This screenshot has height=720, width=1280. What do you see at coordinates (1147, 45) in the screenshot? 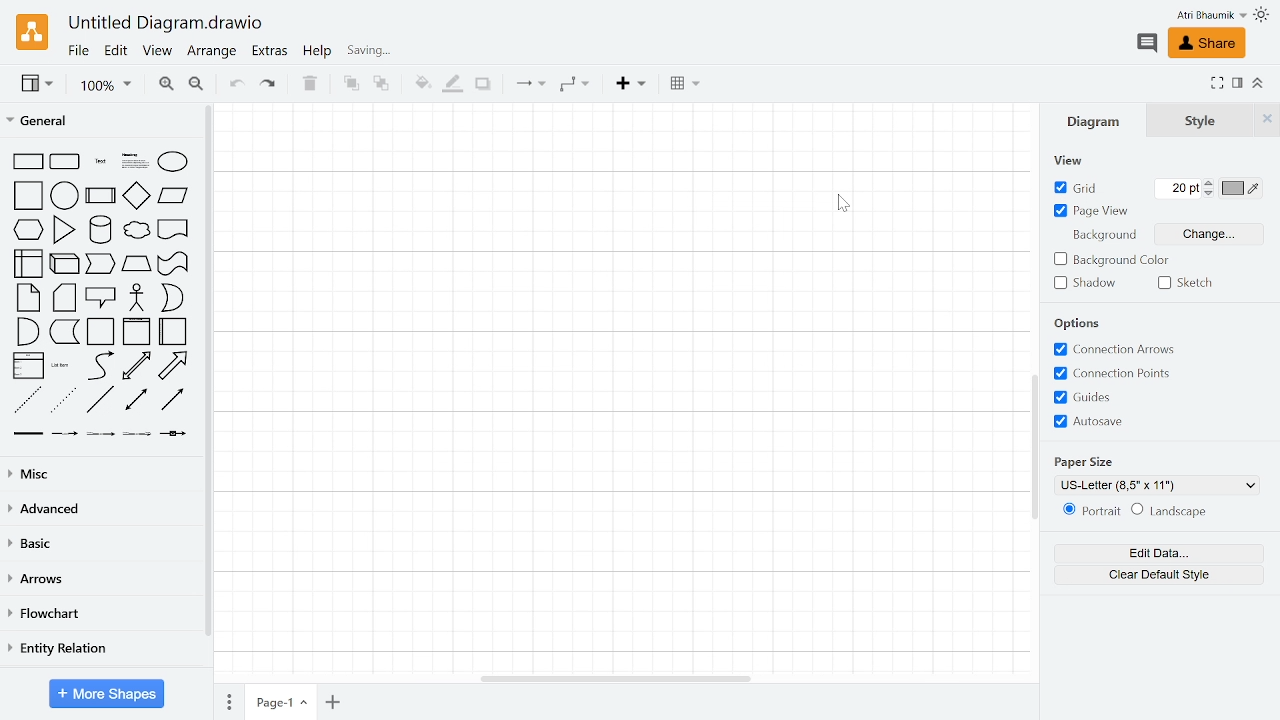
I see `Comments` at bounding box center [1147, 45].